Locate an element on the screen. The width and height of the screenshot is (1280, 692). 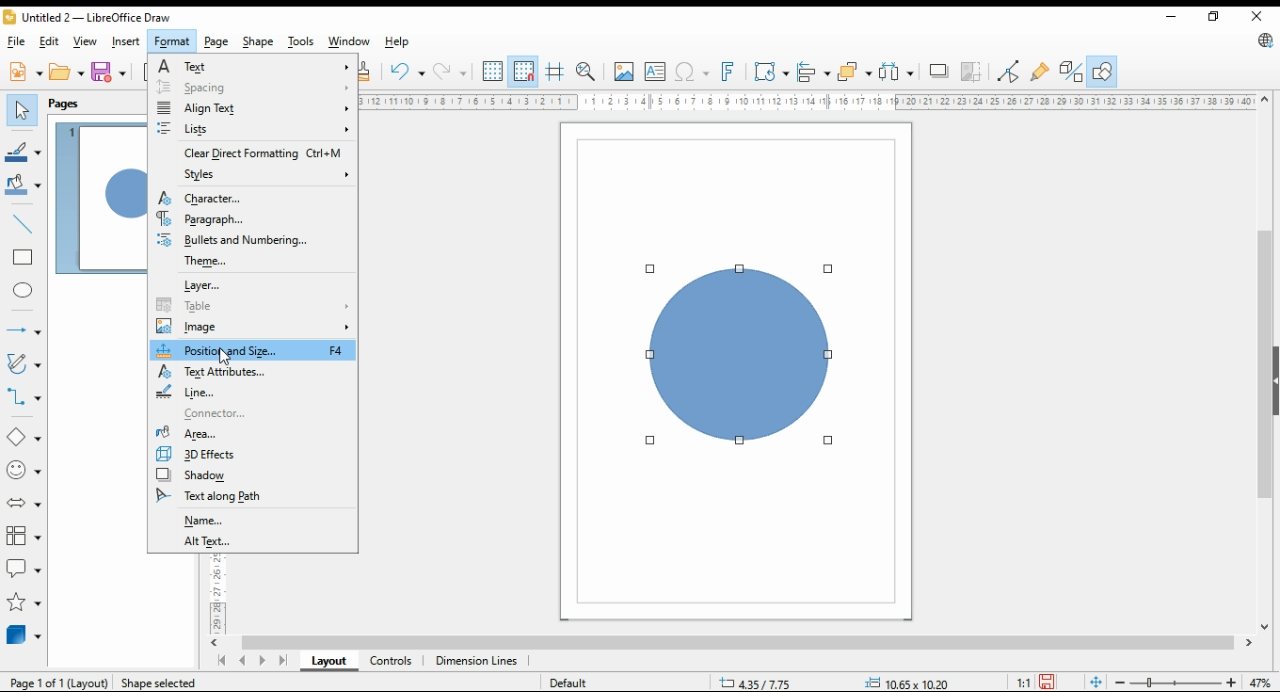
dimension lines is located at coordinates (477, 660).